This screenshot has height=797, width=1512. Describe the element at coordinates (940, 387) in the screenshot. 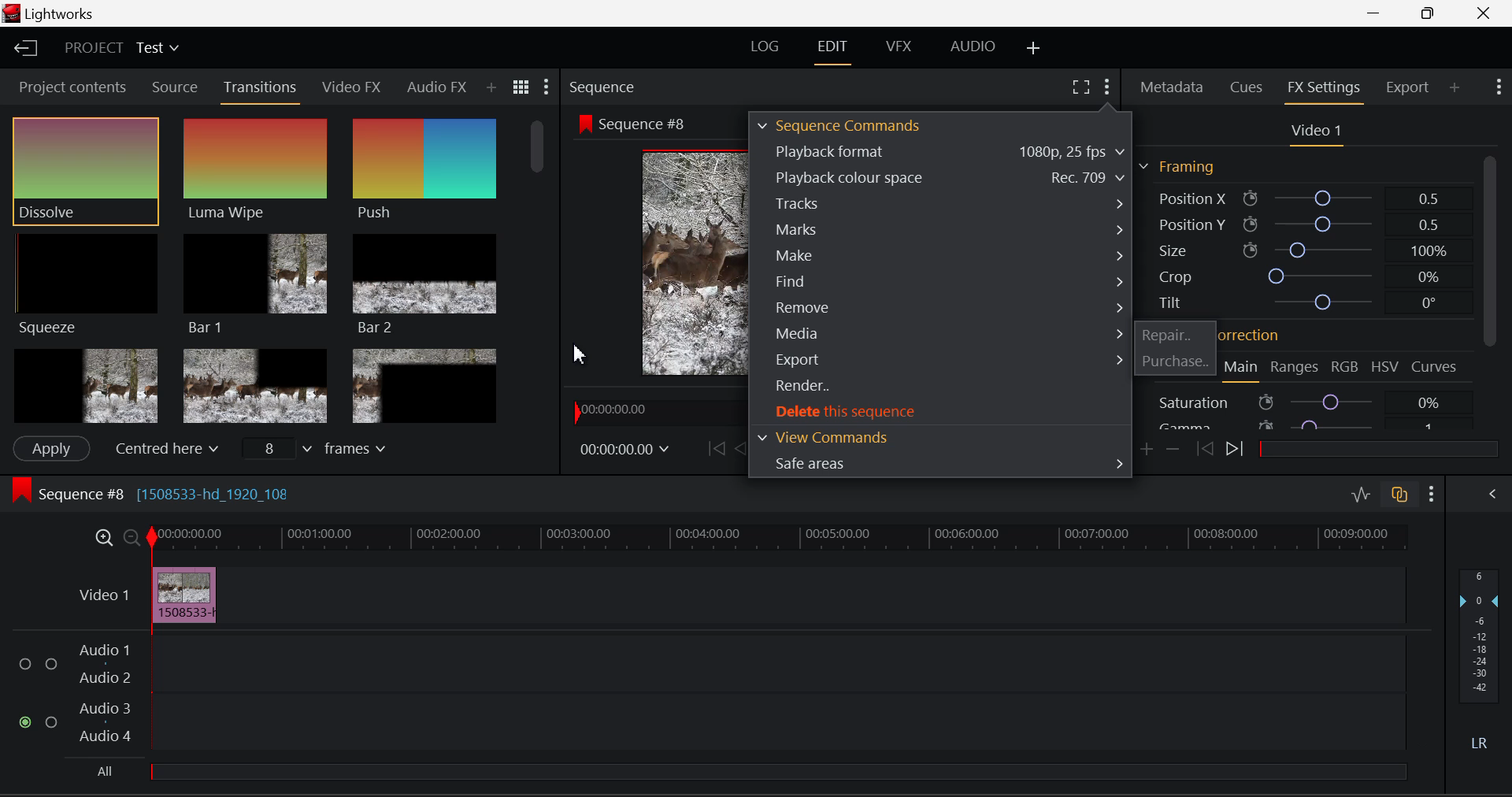

I see `Render` at that location.